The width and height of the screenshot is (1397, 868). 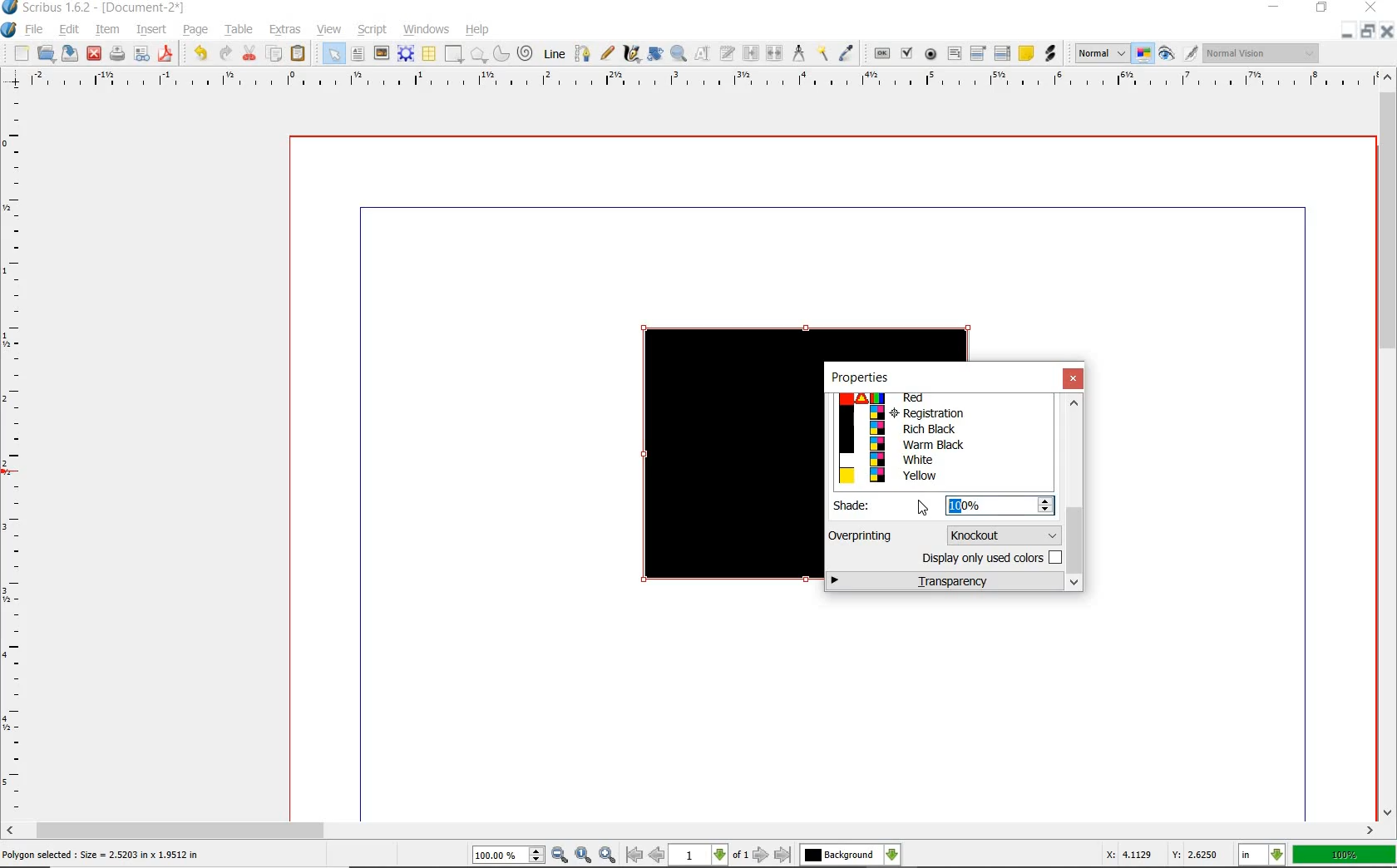 I want to click on script, so click(x=373, y=30).